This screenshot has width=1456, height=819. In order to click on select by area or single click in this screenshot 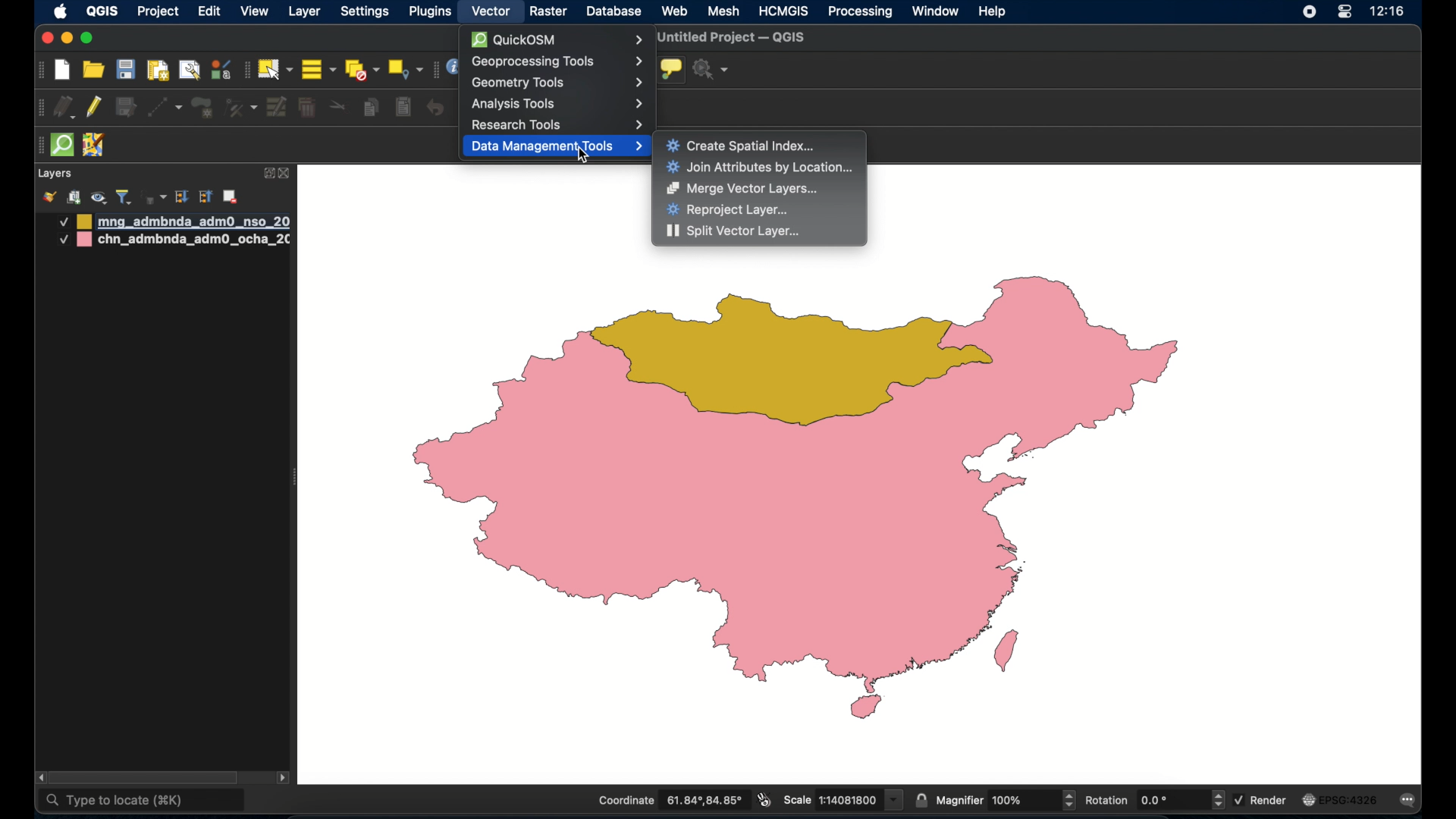, I will do `click(277, 67)`.